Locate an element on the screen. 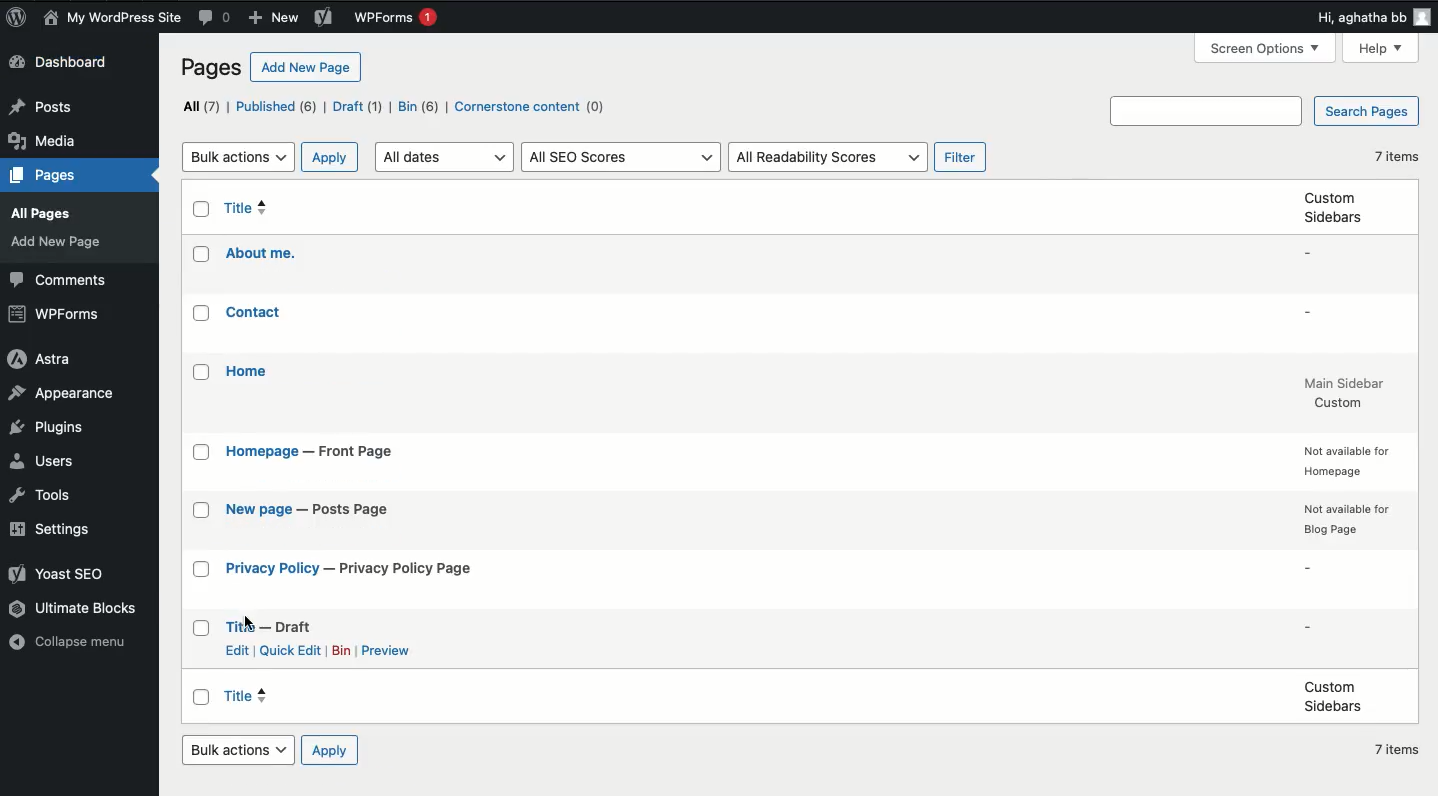  Edit is located at coordinates (237, 649).